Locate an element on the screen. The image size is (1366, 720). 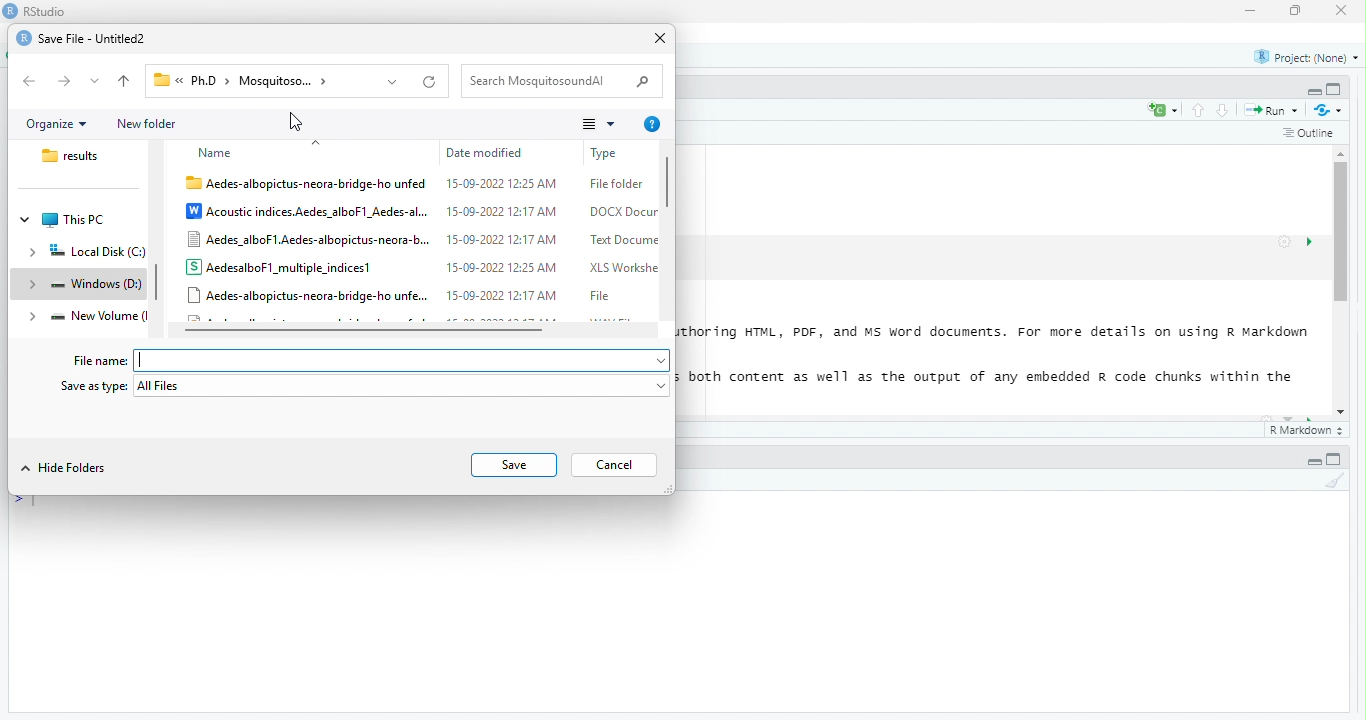
Drop-down  is located at coordinates (663, 362).